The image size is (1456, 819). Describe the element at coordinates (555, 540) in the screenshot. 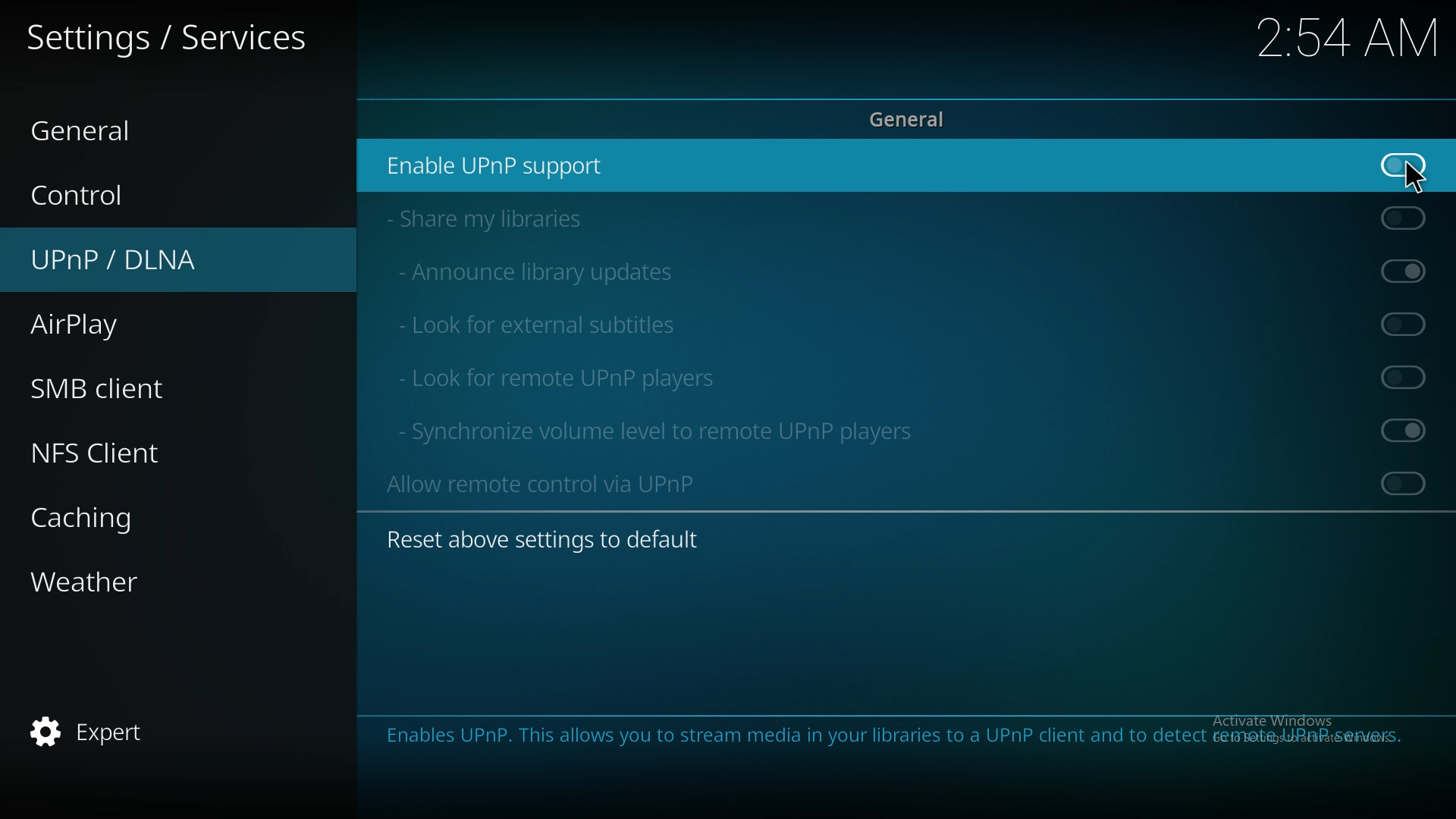

I see `reset` at that location.